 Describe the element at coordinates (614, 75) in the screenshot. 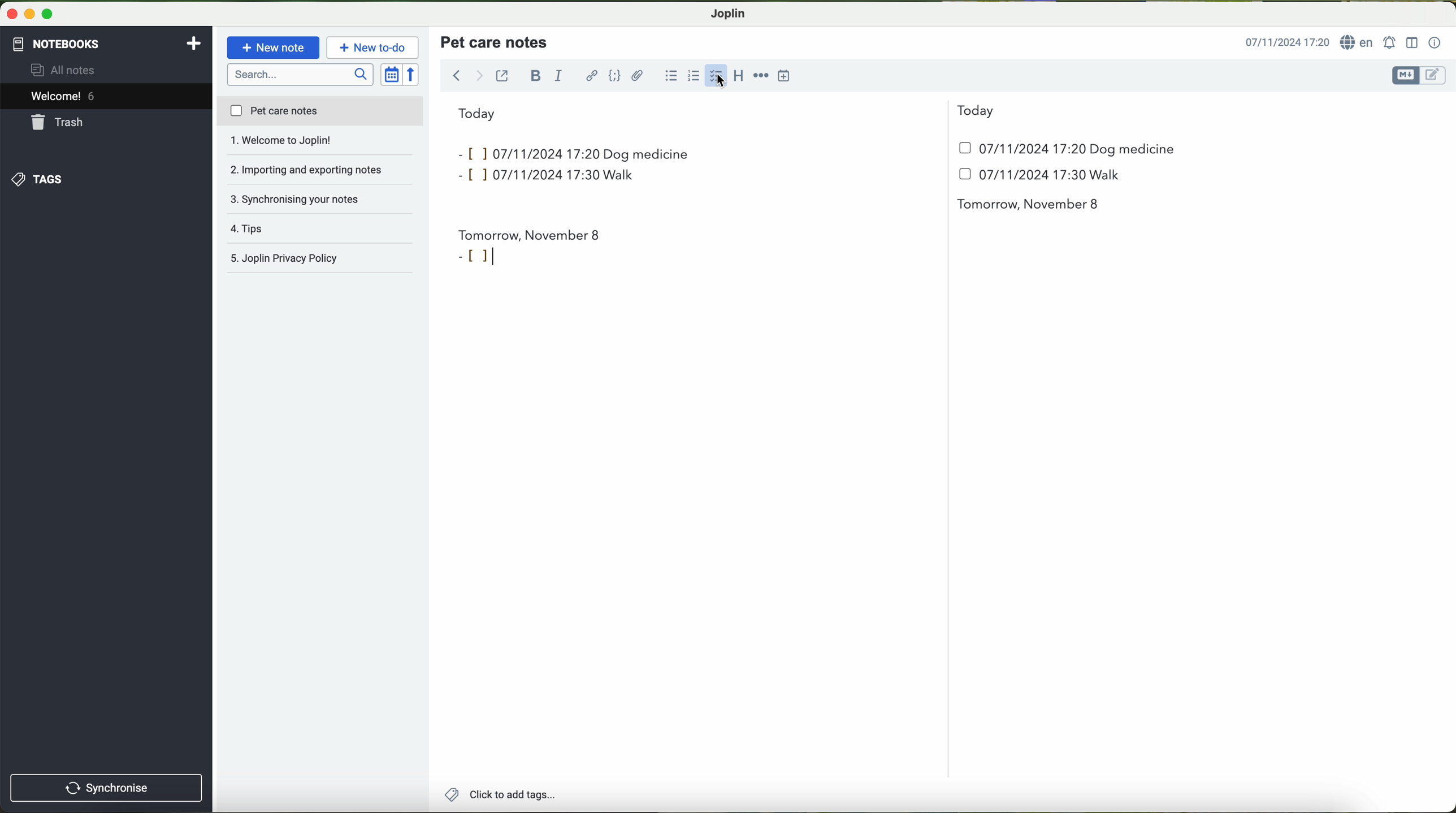

I see `code` at that location.